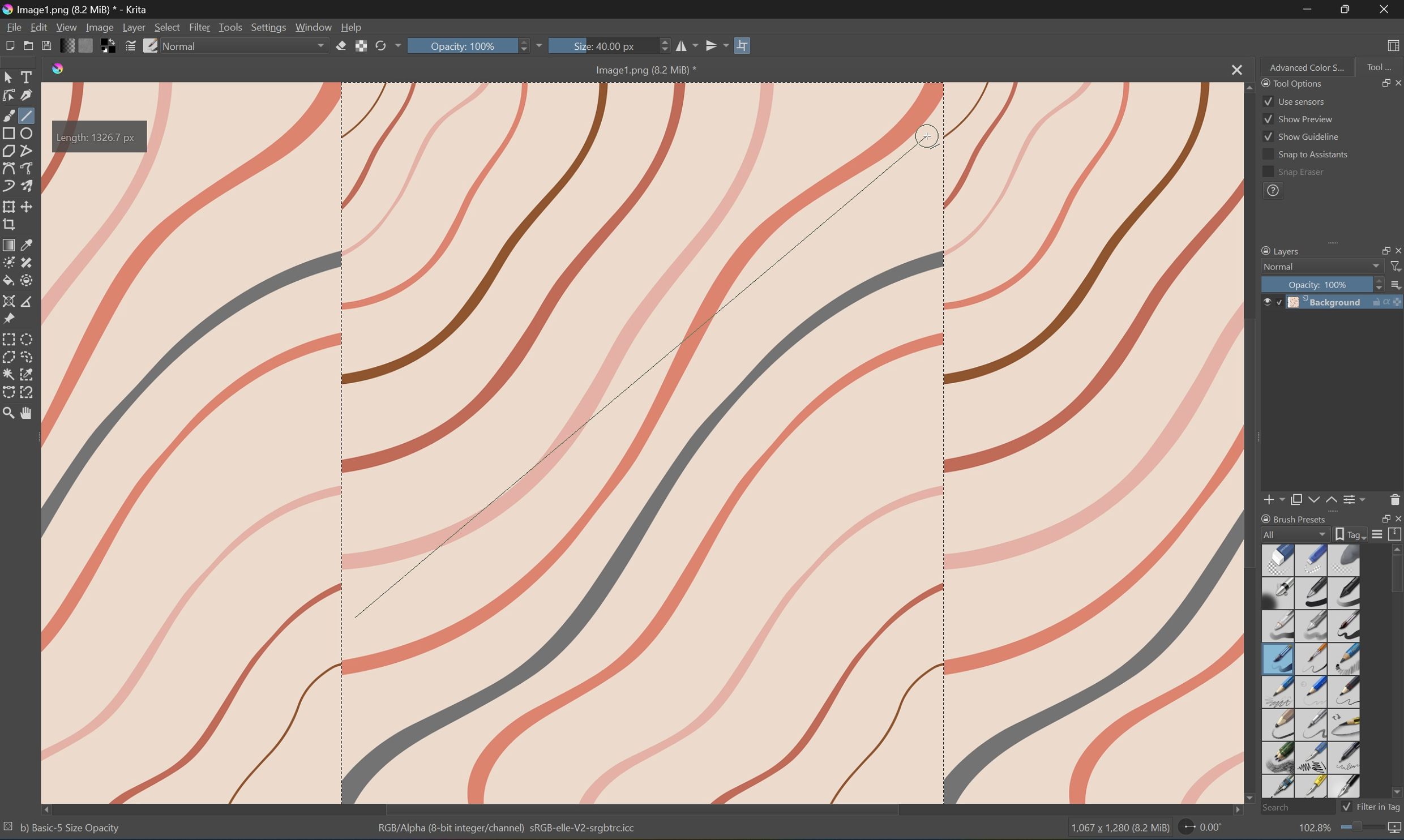 This screenshot has width=1404, height=840. Describe the element at coordinates (1396, 267) in the screenshot. I see `Filter` at that location.